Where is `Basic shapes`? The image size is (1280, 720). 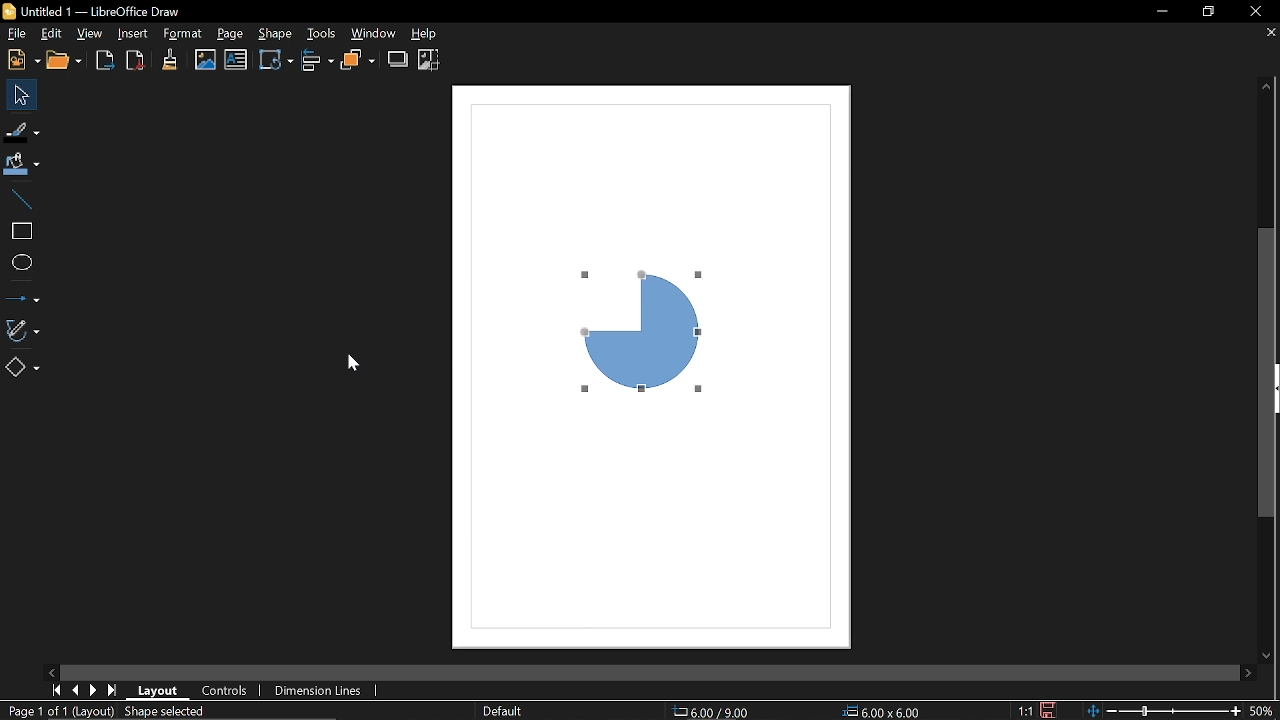 Basic shapes is located at coordinates (21, 366).